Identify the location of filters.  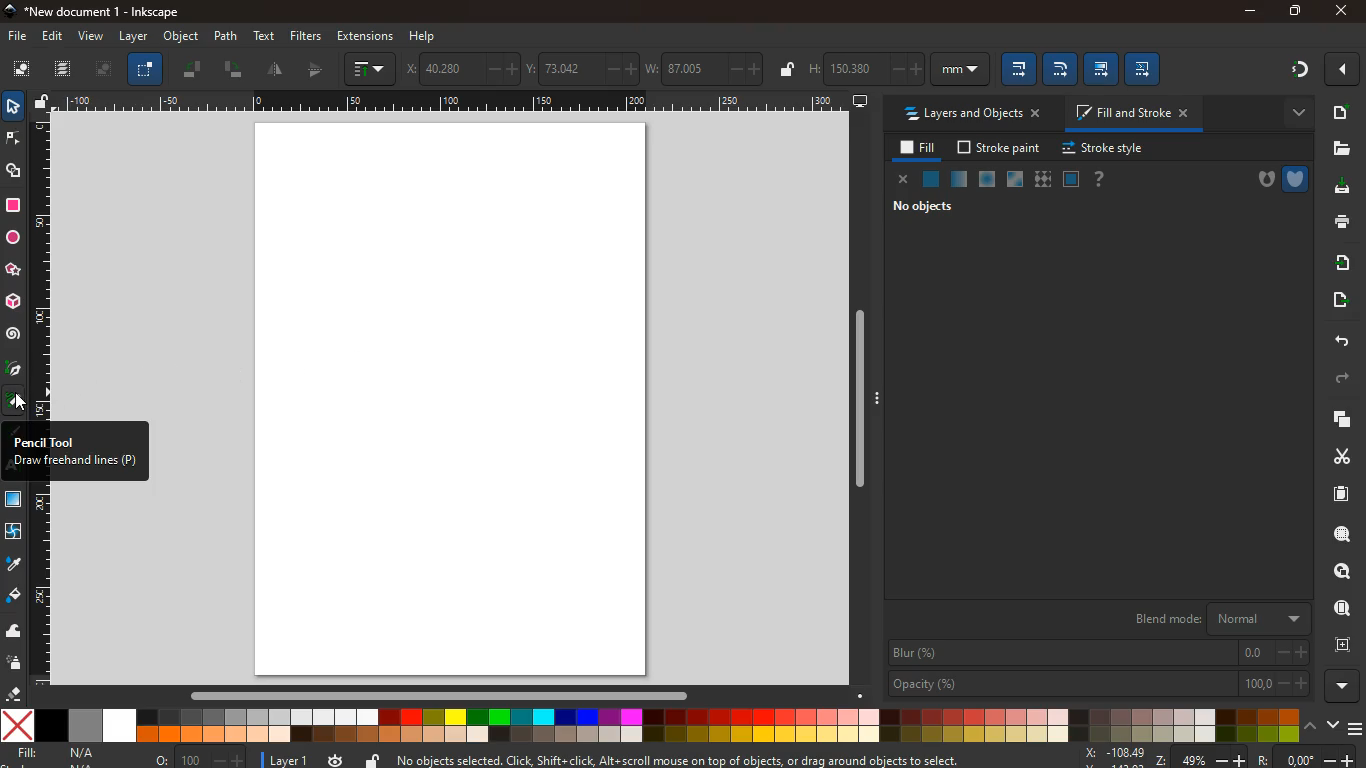
(309, 36).